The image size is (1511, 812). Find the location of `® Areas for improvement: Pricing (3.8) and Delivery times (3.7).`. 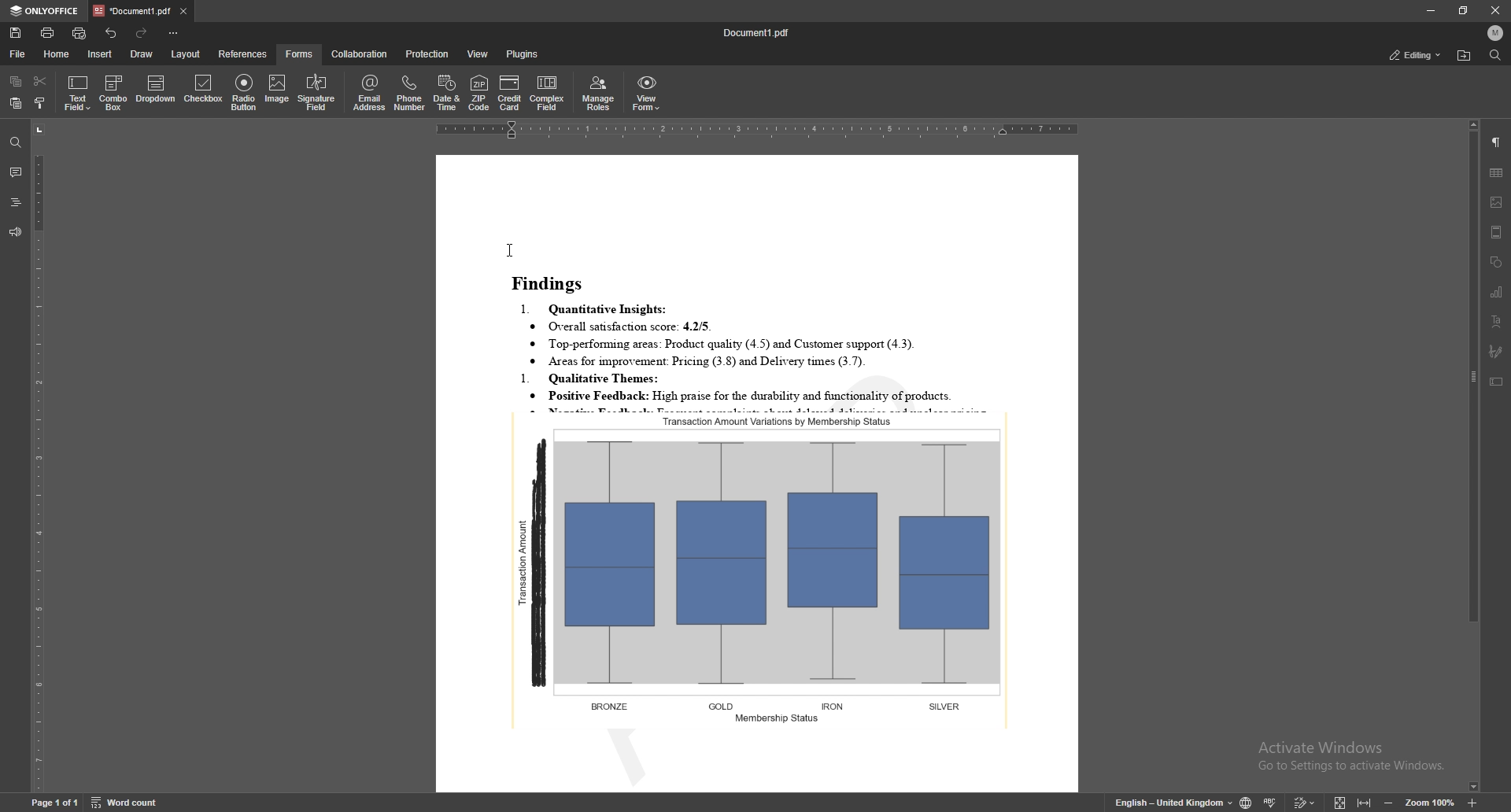

® Areas for improvement: Pricing (3.8) and Delivery times (3.7). is located at coordinates (698, 361).